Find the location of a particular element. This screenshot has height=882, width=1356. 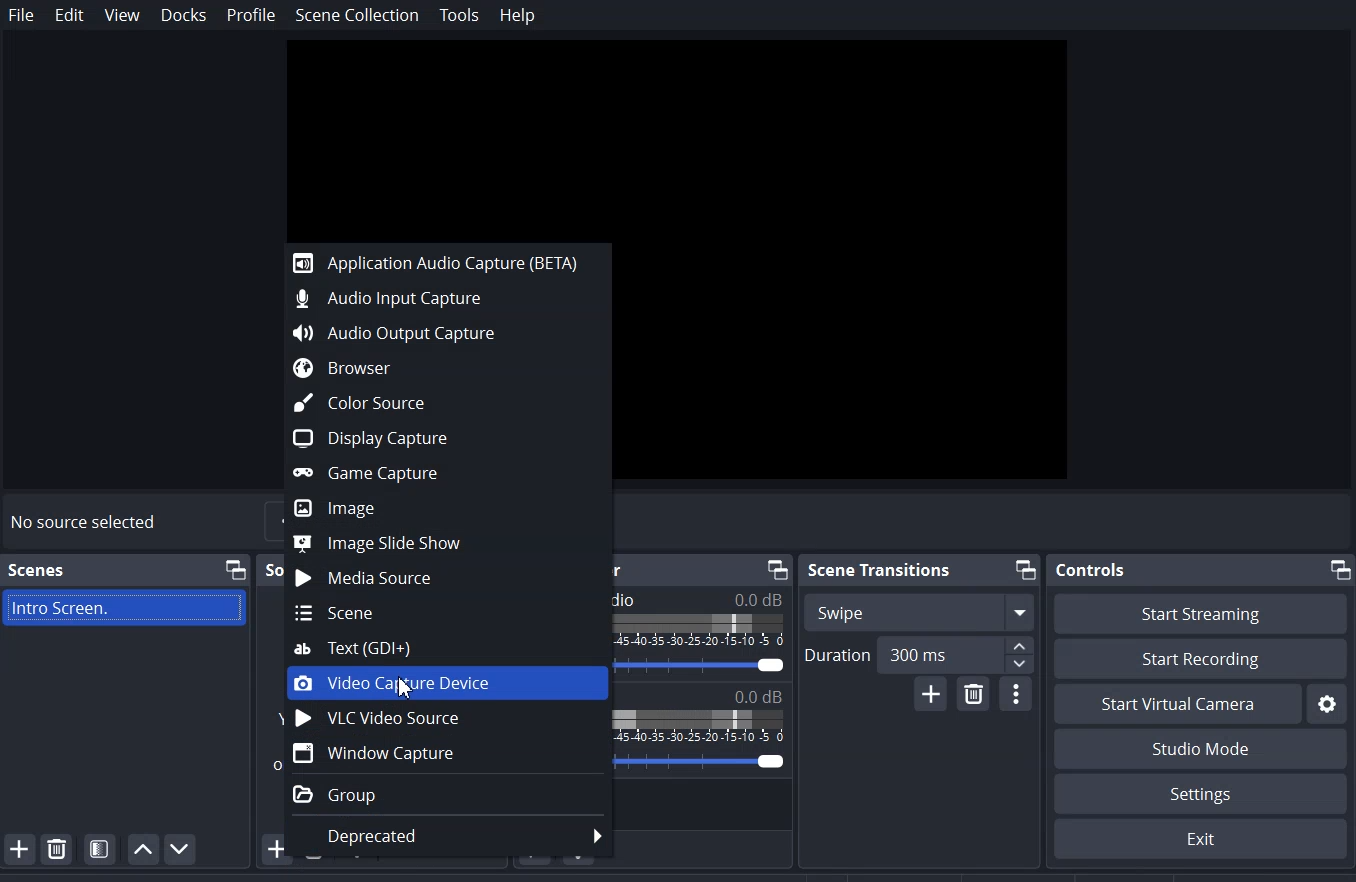

Remove Selected Scene is located at coordinates (57, 847).